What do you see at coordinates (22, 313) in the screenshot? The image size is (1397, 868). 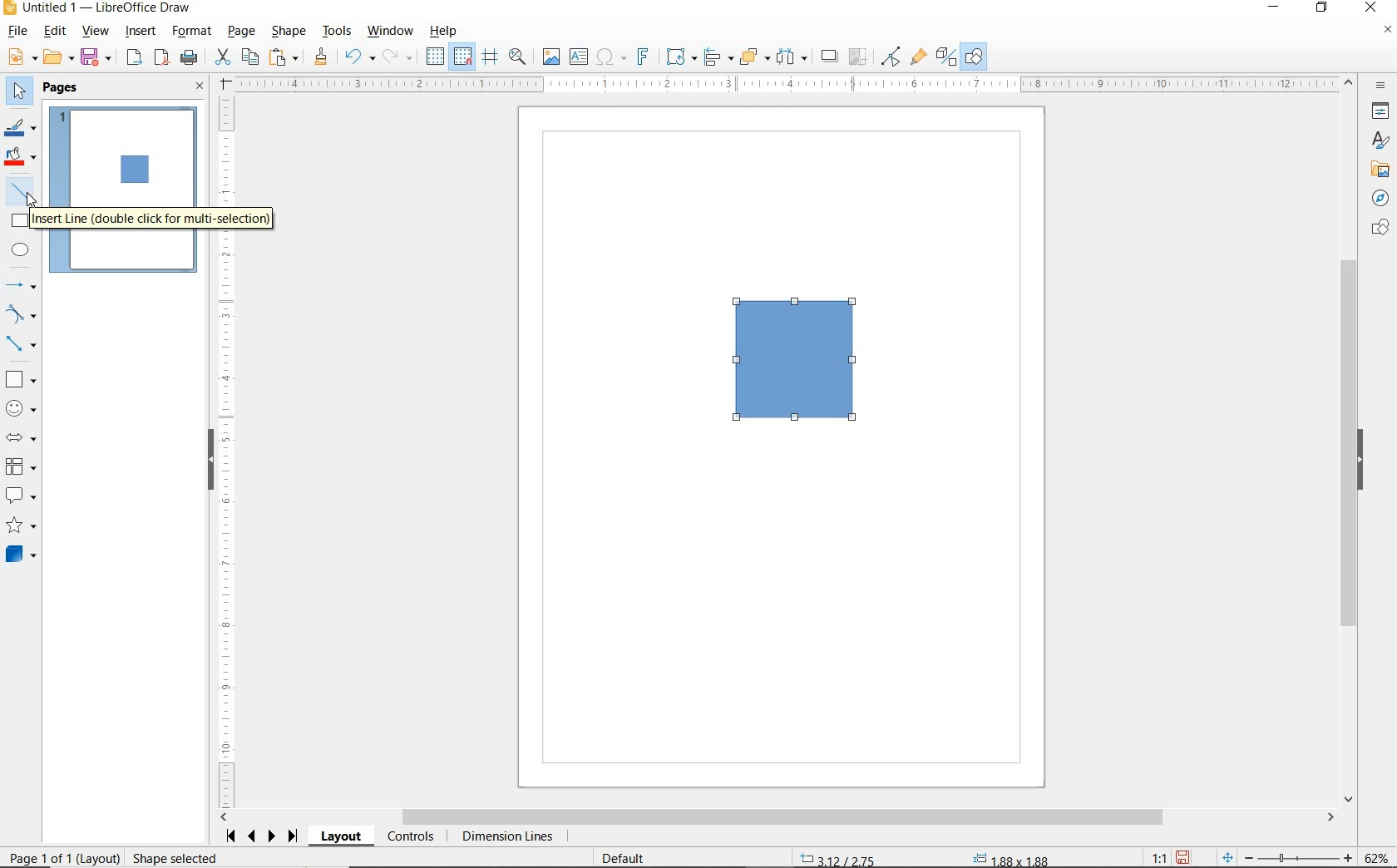 I see `CURVES AND POLYGONS` at bounding box center [22, 313].